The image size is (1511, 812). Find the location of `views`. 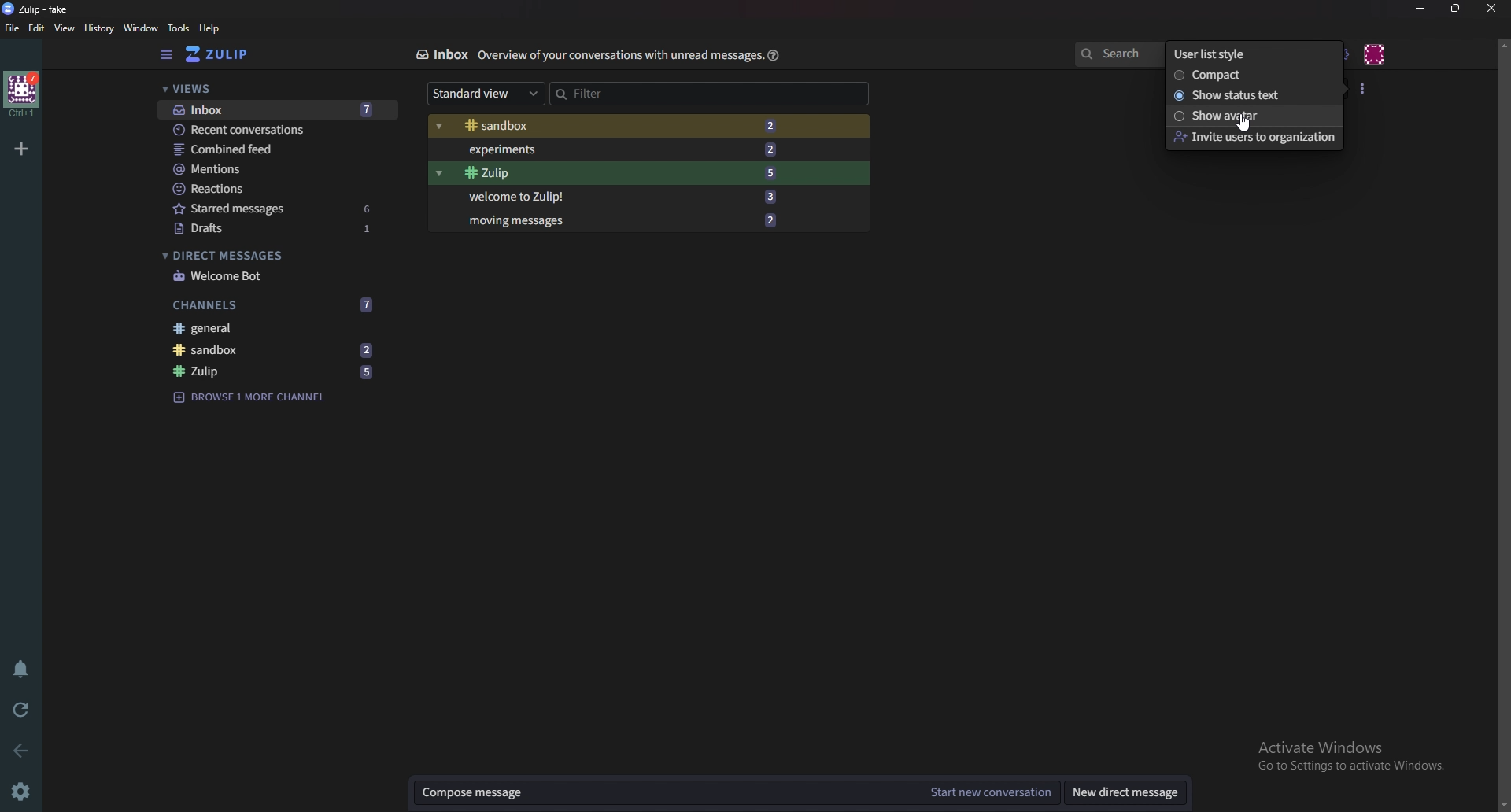

views is located at coordinates (274, 89).